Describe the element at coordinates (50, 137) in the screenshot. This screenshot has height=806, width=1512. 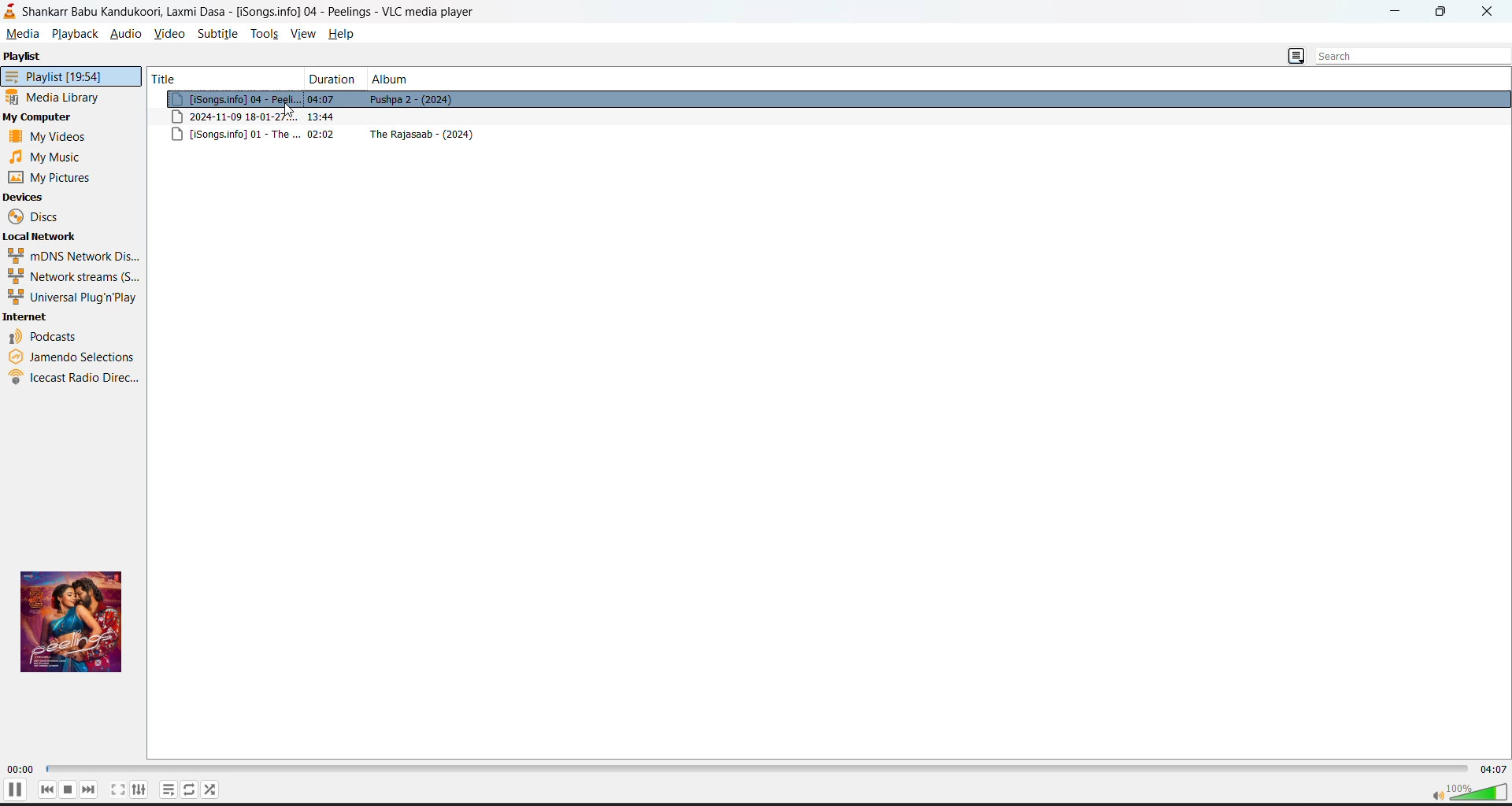
I see `videos` at that location.